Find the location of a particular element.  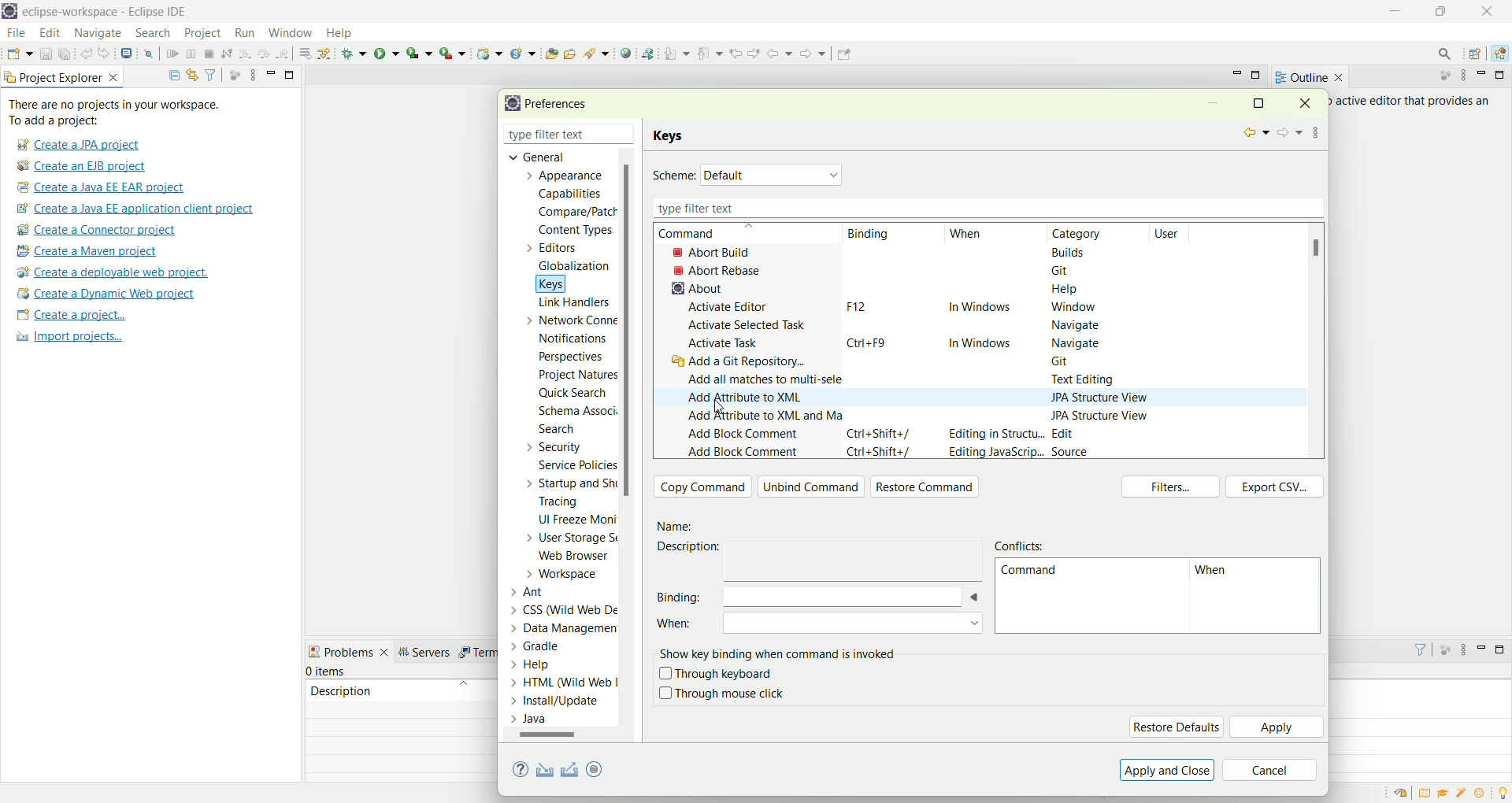

maximize is located at coordinates (1258, 102).